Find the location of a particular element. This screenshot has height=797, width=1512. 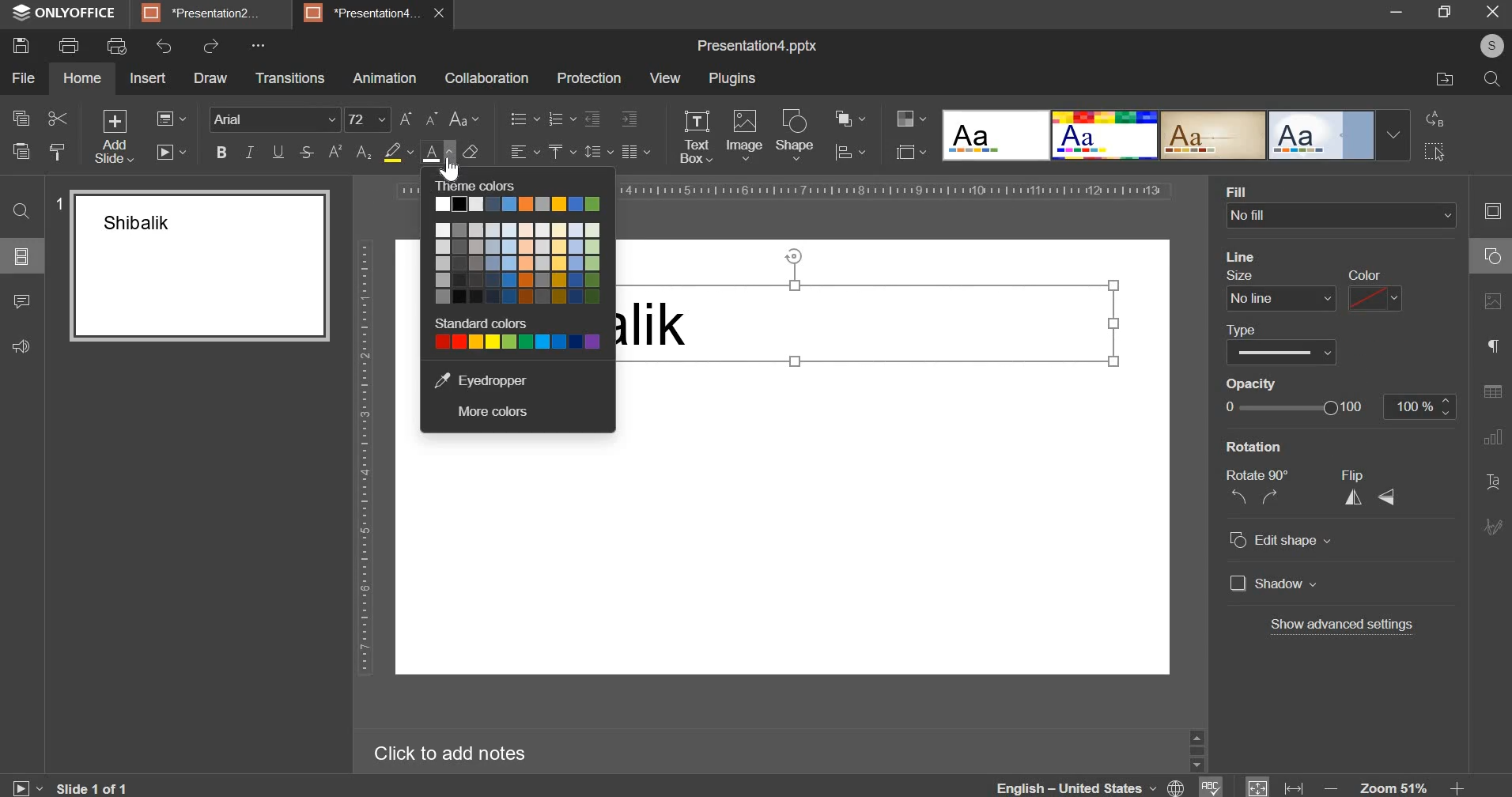

feedback is located at coordinates (23, 345).